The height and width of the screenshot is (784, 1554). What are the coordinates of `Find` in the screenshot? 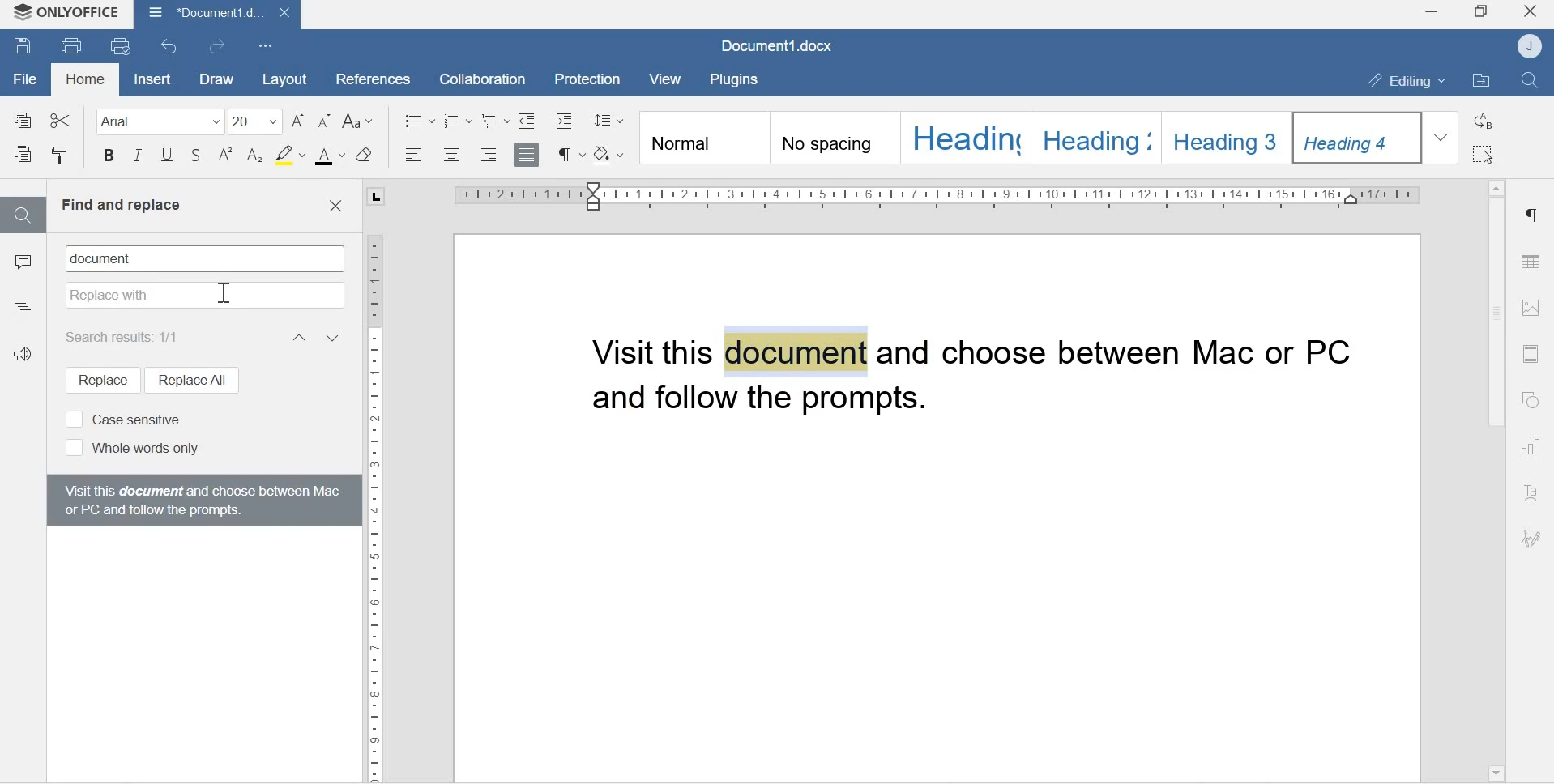 It's located at (22, 215).